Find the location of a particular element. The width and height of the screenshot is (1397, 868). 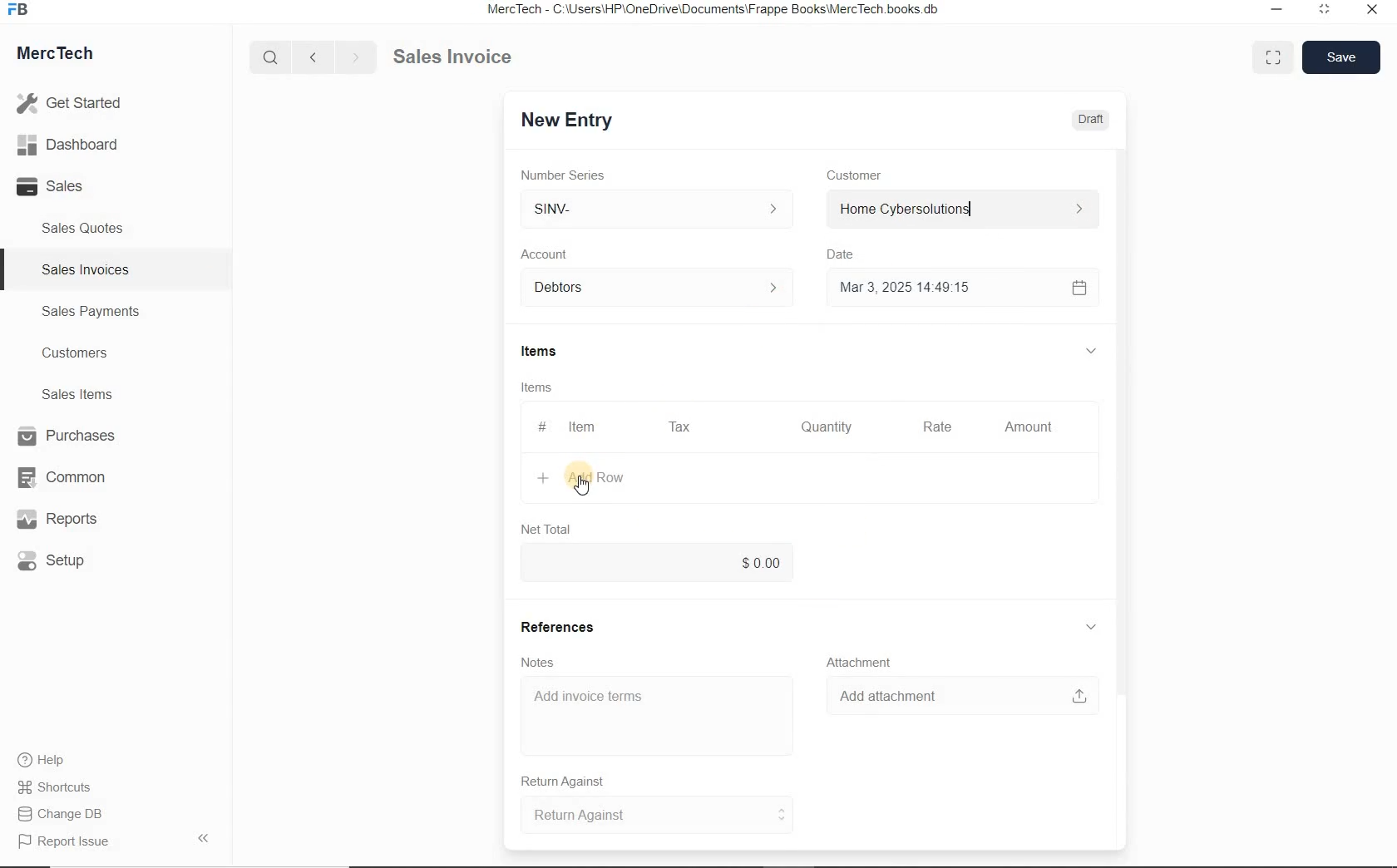

Sales Items is located at coordinates (88, 394).